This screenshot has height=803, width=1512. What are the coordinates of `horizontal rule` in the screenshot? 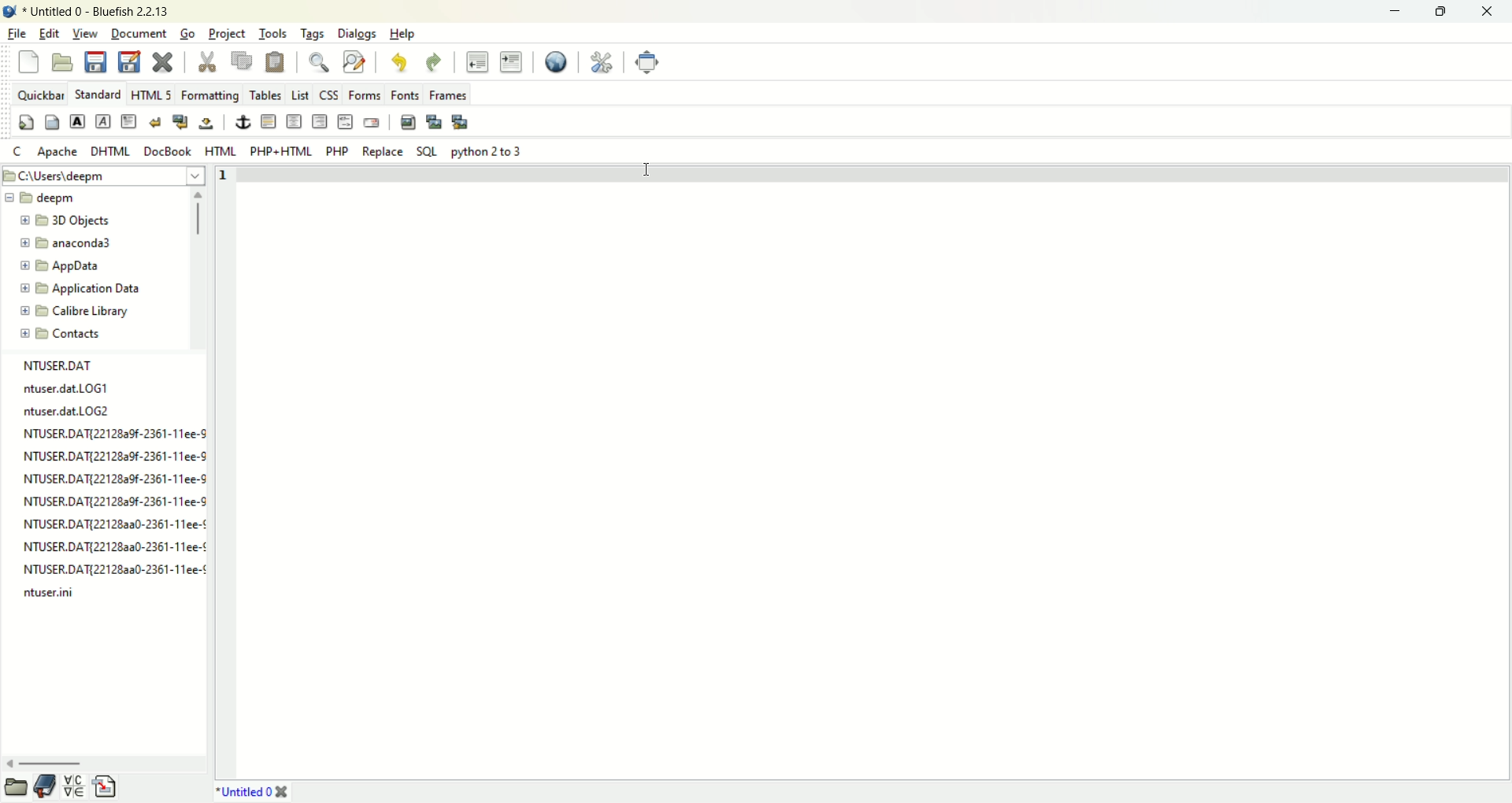 It's located at (268, 122).